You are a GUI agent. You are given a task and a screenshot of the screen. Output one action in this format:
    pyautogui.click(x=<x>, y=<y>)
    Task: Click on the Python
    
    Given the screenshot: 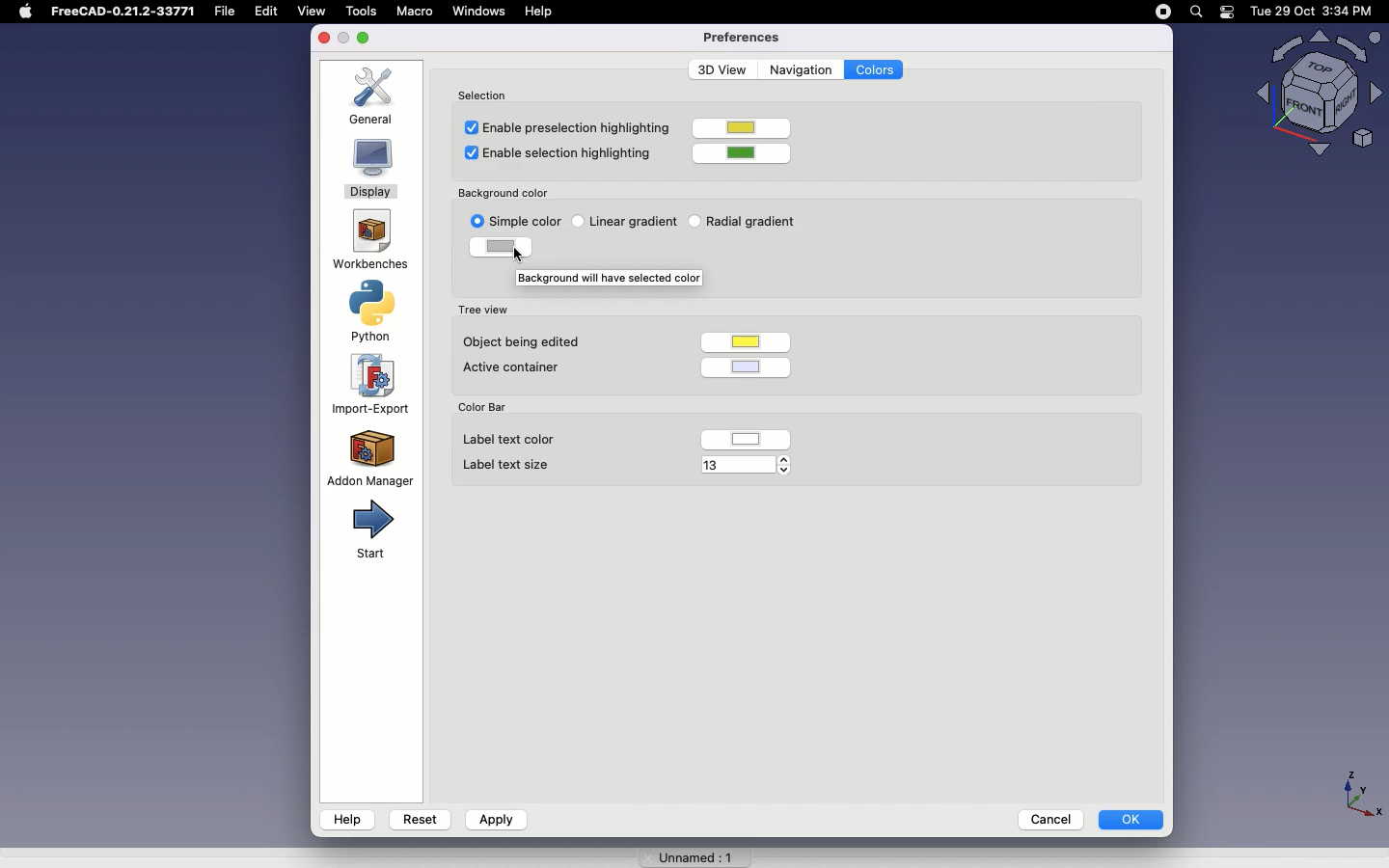 What is the action you would take?
    pyautogui.click(x=376, y=312)
    